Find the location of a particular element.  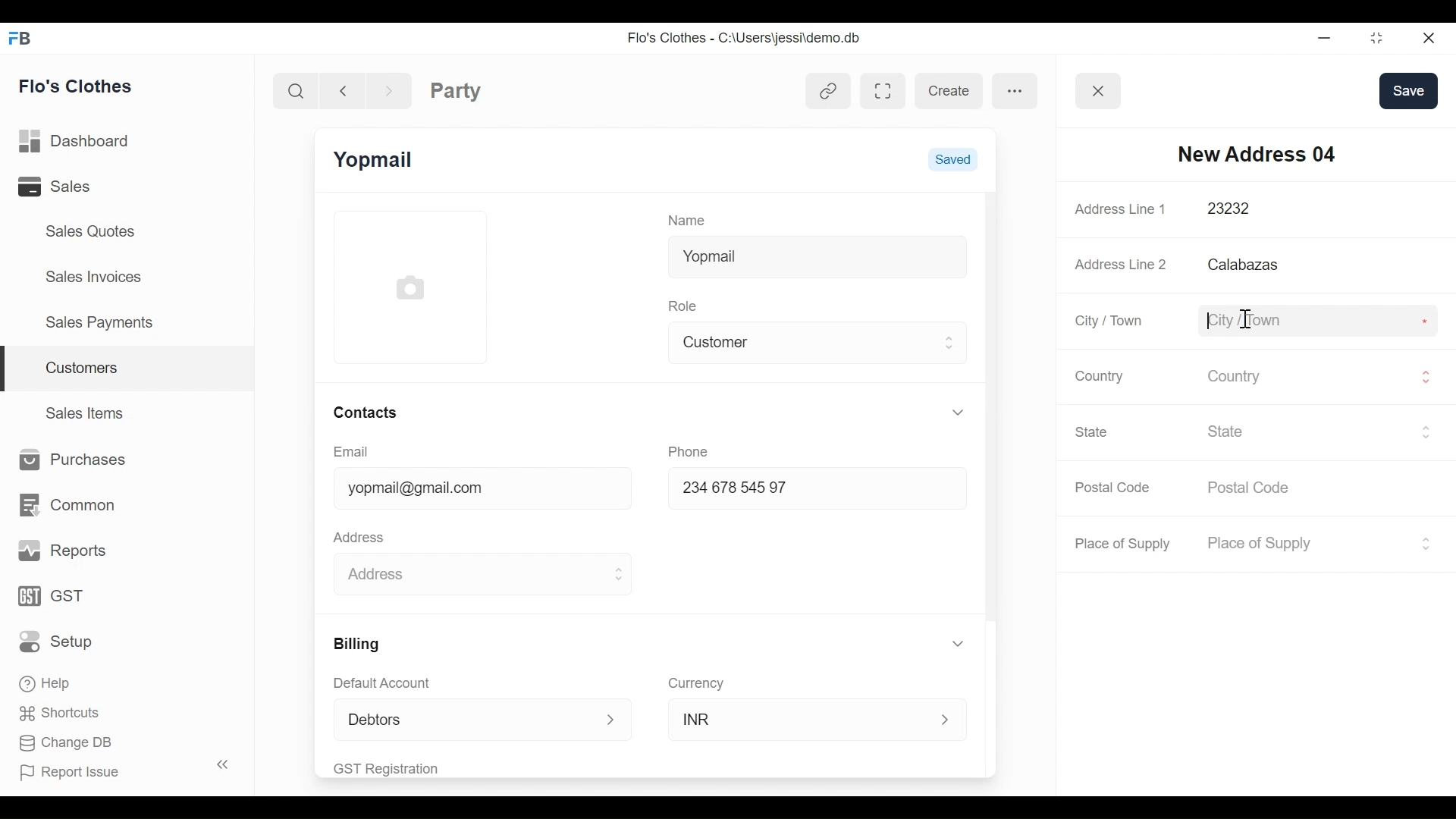

Expand is located at coordinates (961, 644).